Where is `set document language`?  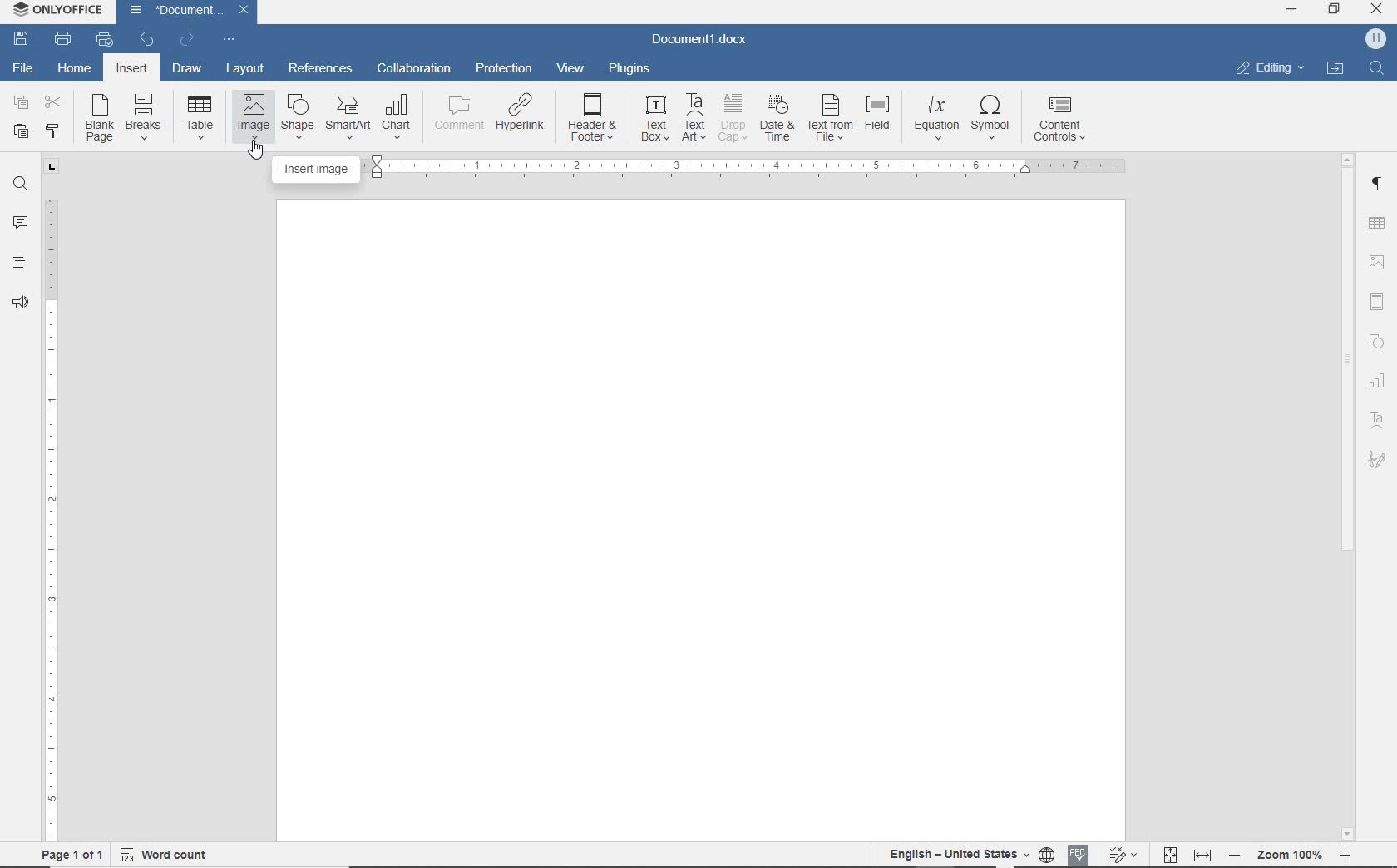
set document language is located at coordinates (1045, 855).